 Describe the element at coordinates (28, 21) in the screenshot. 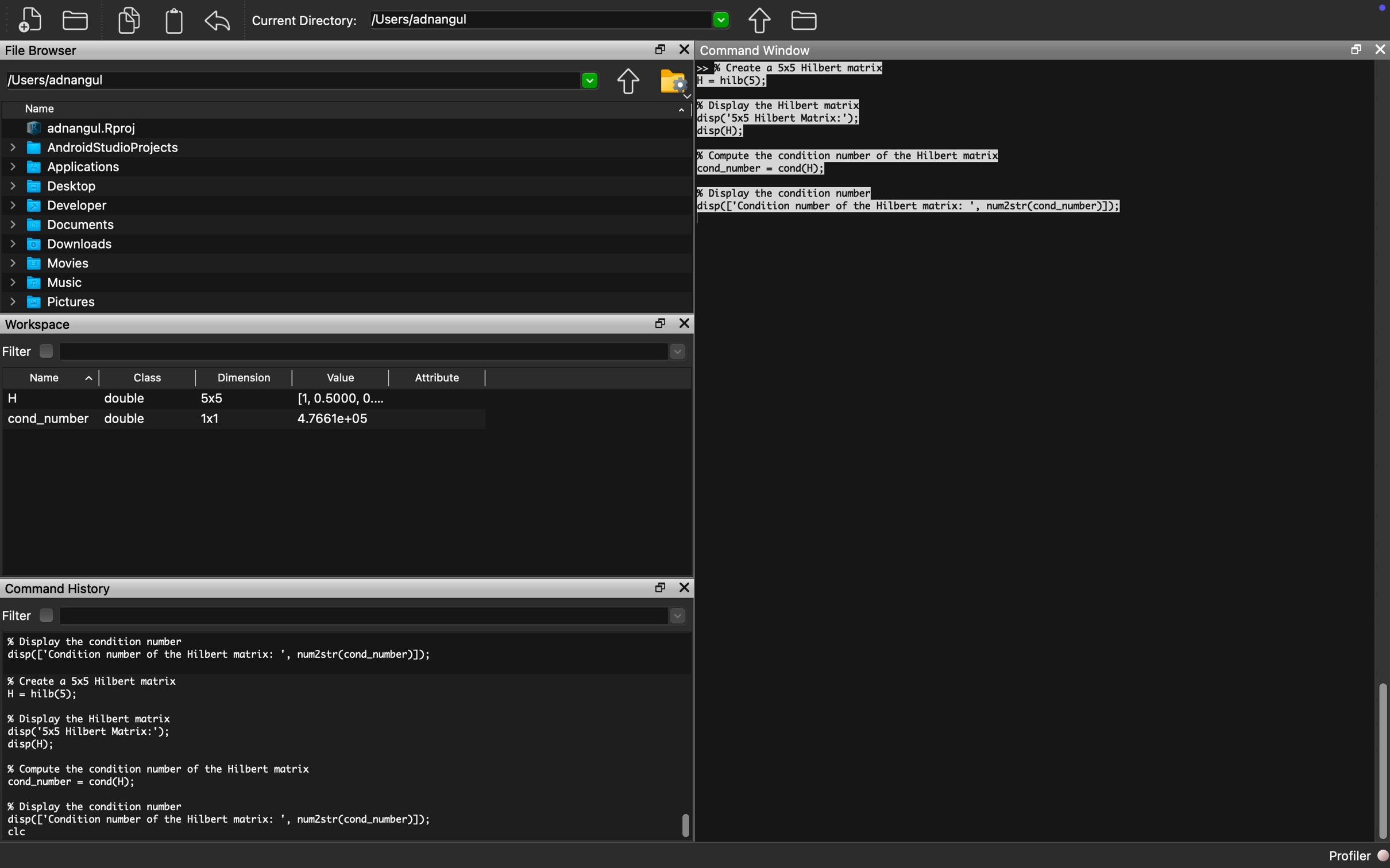

I see `New File` at that location.